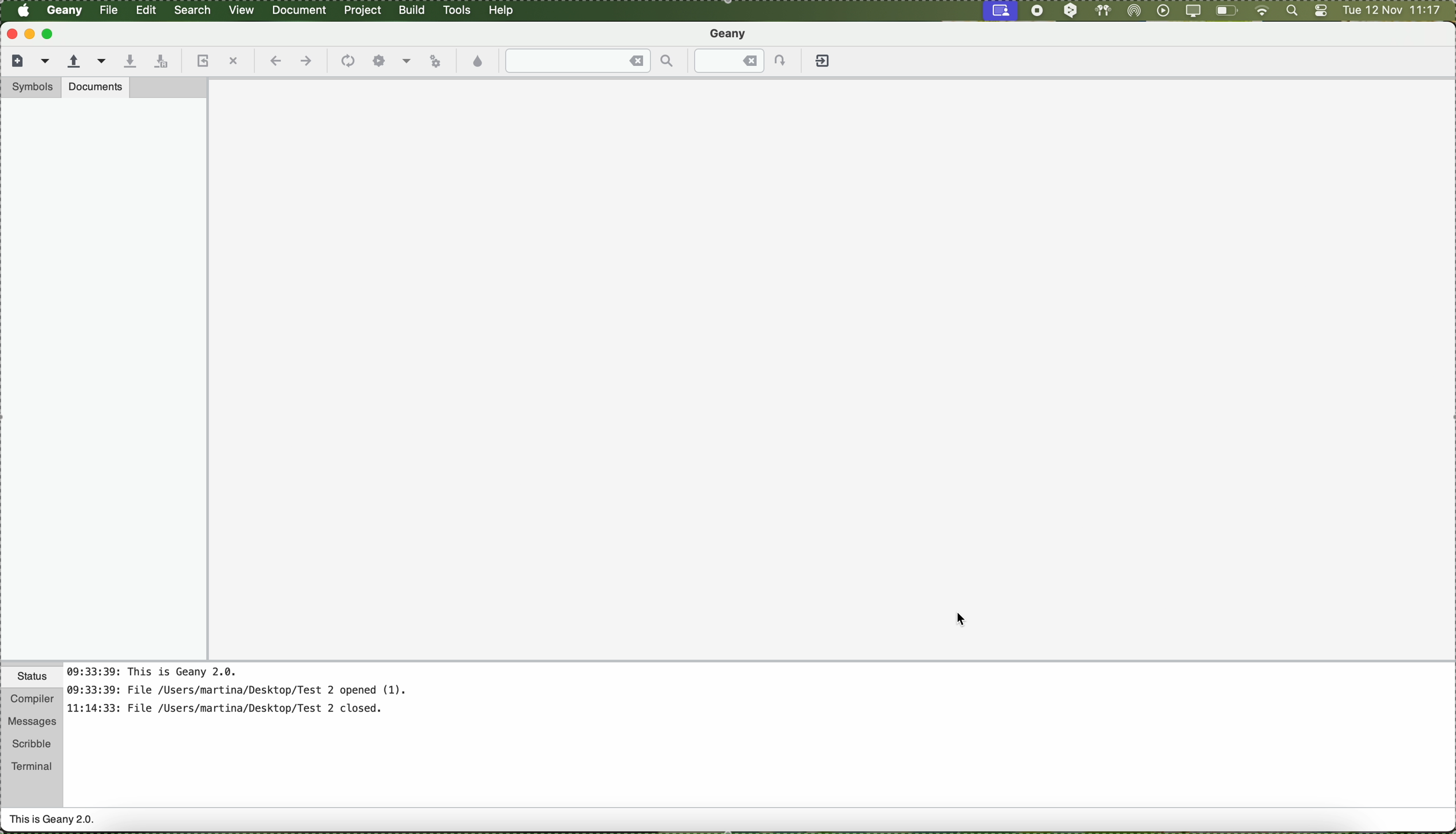 The image size is (1456, 834). Describe the element at coordinates (1321, 11) in the screenshot. I see `controls` at that location.